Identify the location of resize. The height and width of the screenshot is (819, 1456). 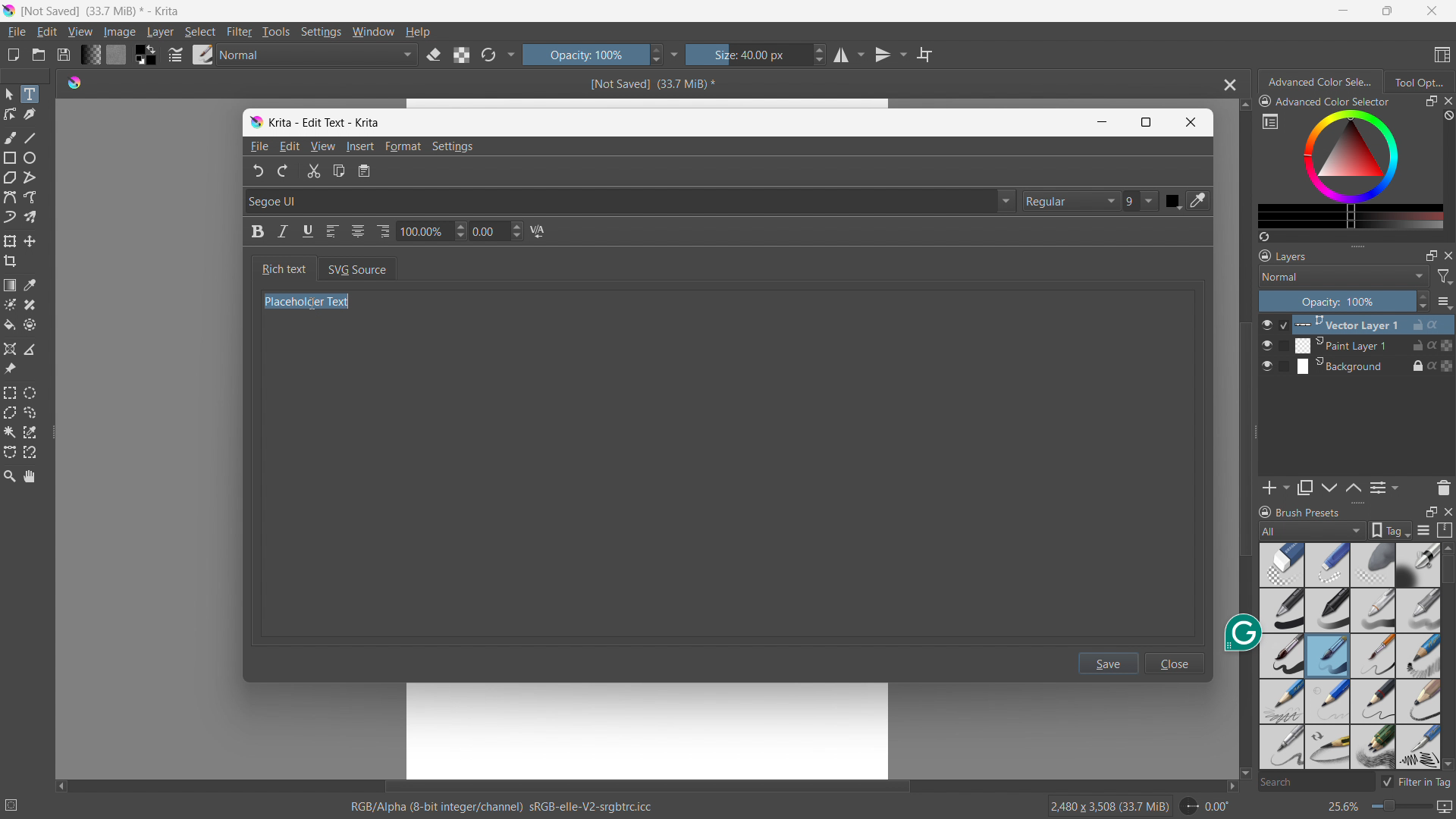
(1256, 433).